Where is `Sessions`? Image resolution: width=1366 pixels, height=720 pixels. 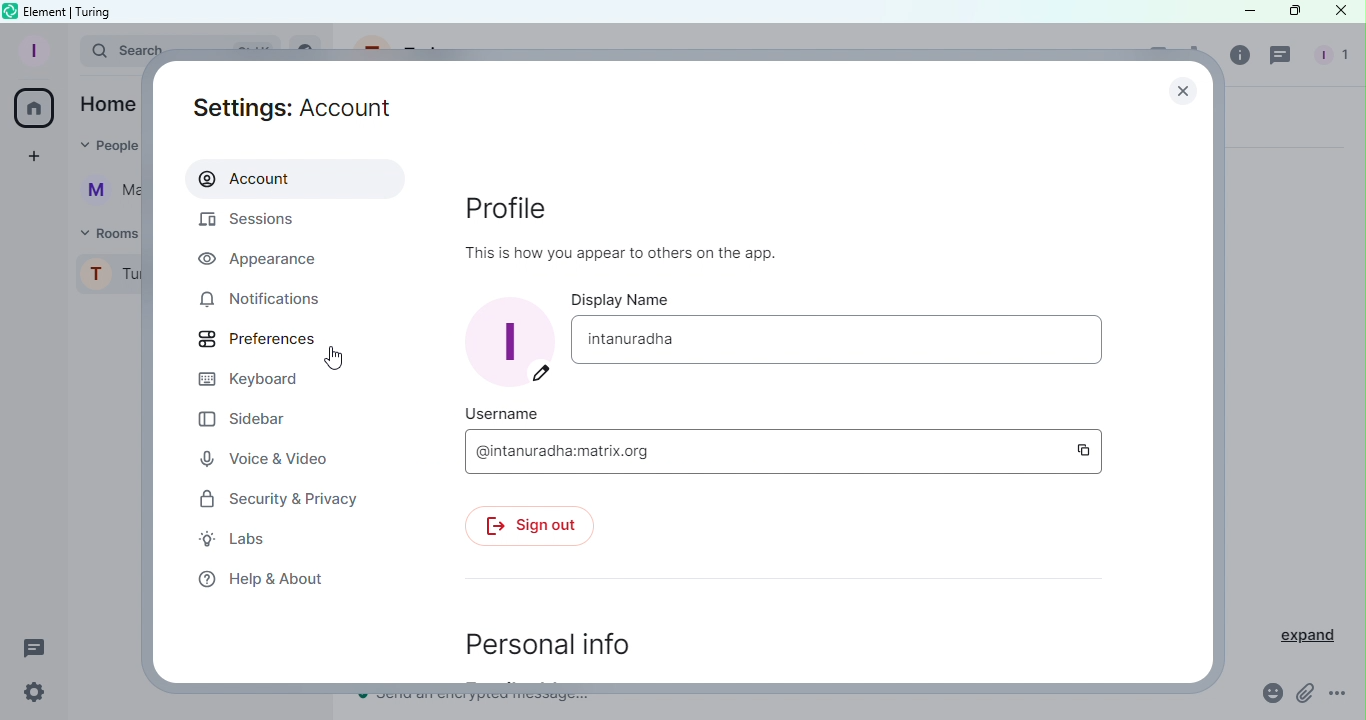 Sessions is located at coordinates (257, 222).